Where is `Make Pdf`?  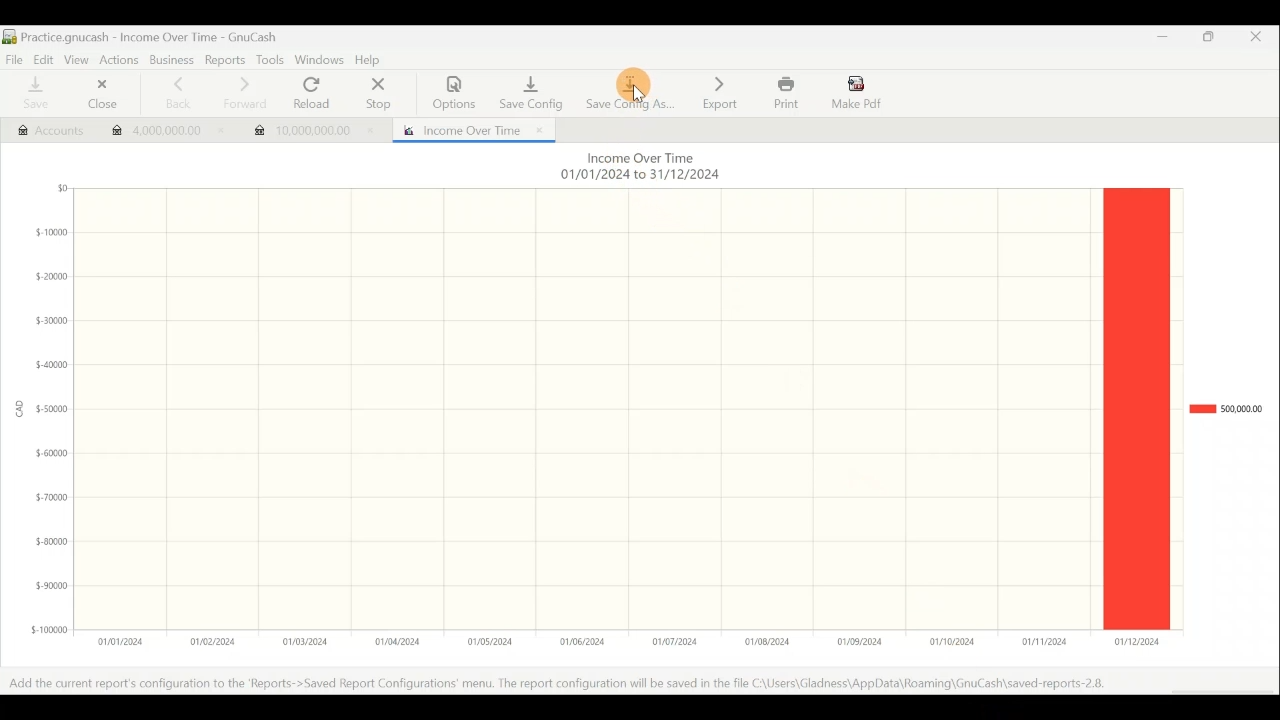
Make Pdf is located at coordinates (858, 91).